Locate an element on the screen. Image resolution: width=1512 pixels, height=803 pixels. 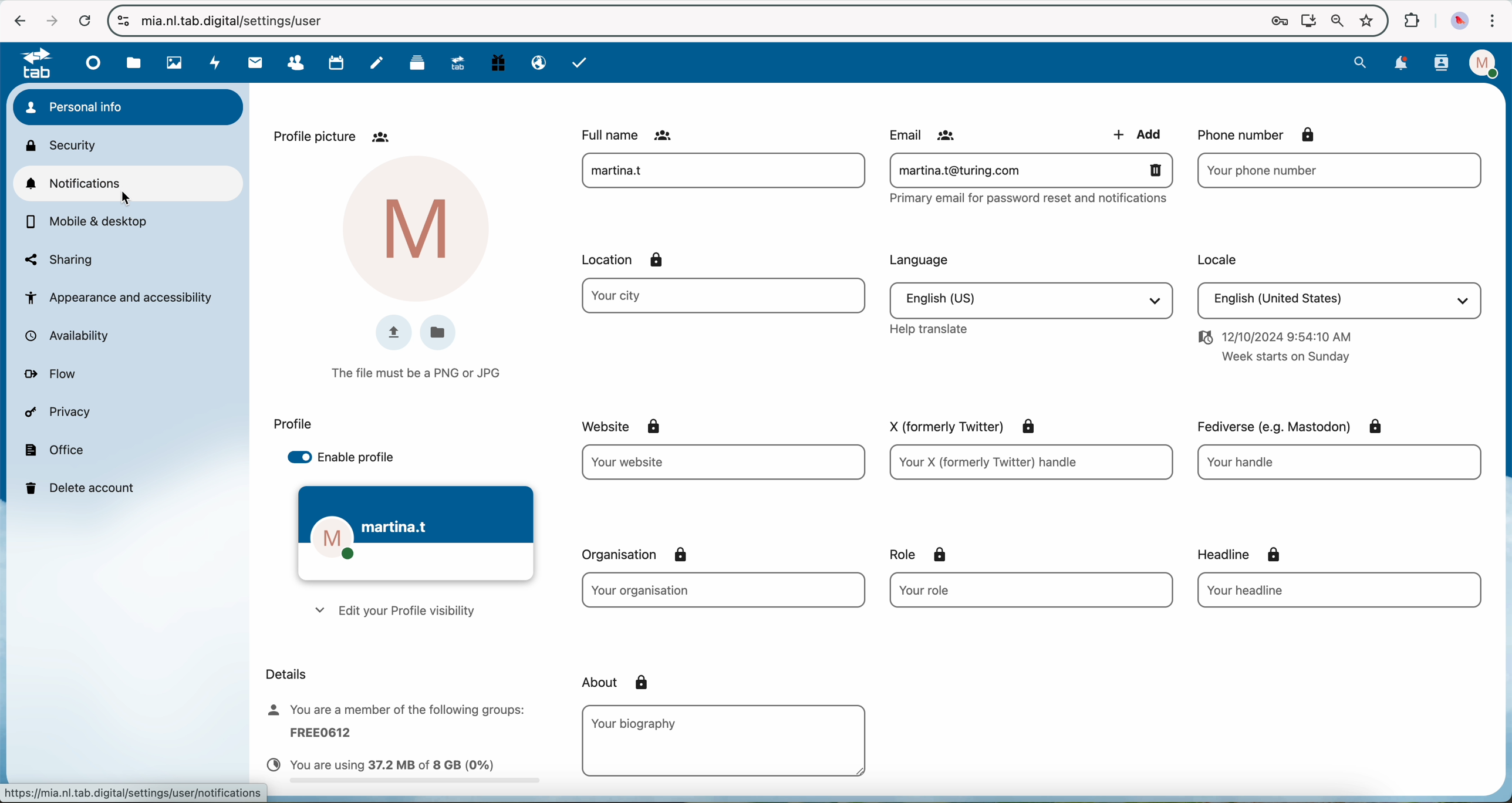
X is located at coordinates (962, 424).